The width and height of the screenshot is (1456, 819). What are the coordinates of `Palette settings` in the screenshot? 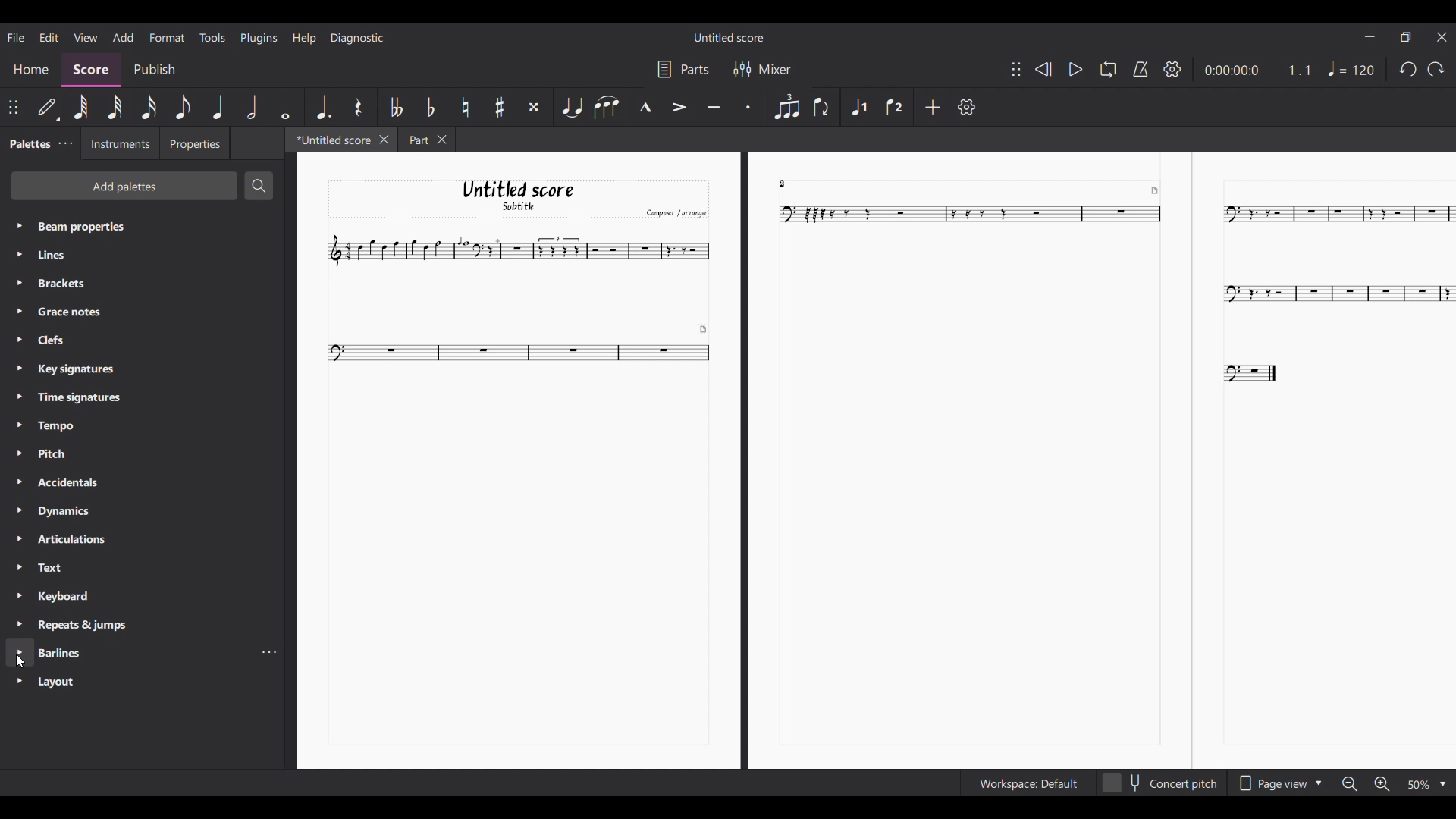 It's located at (52, 510).